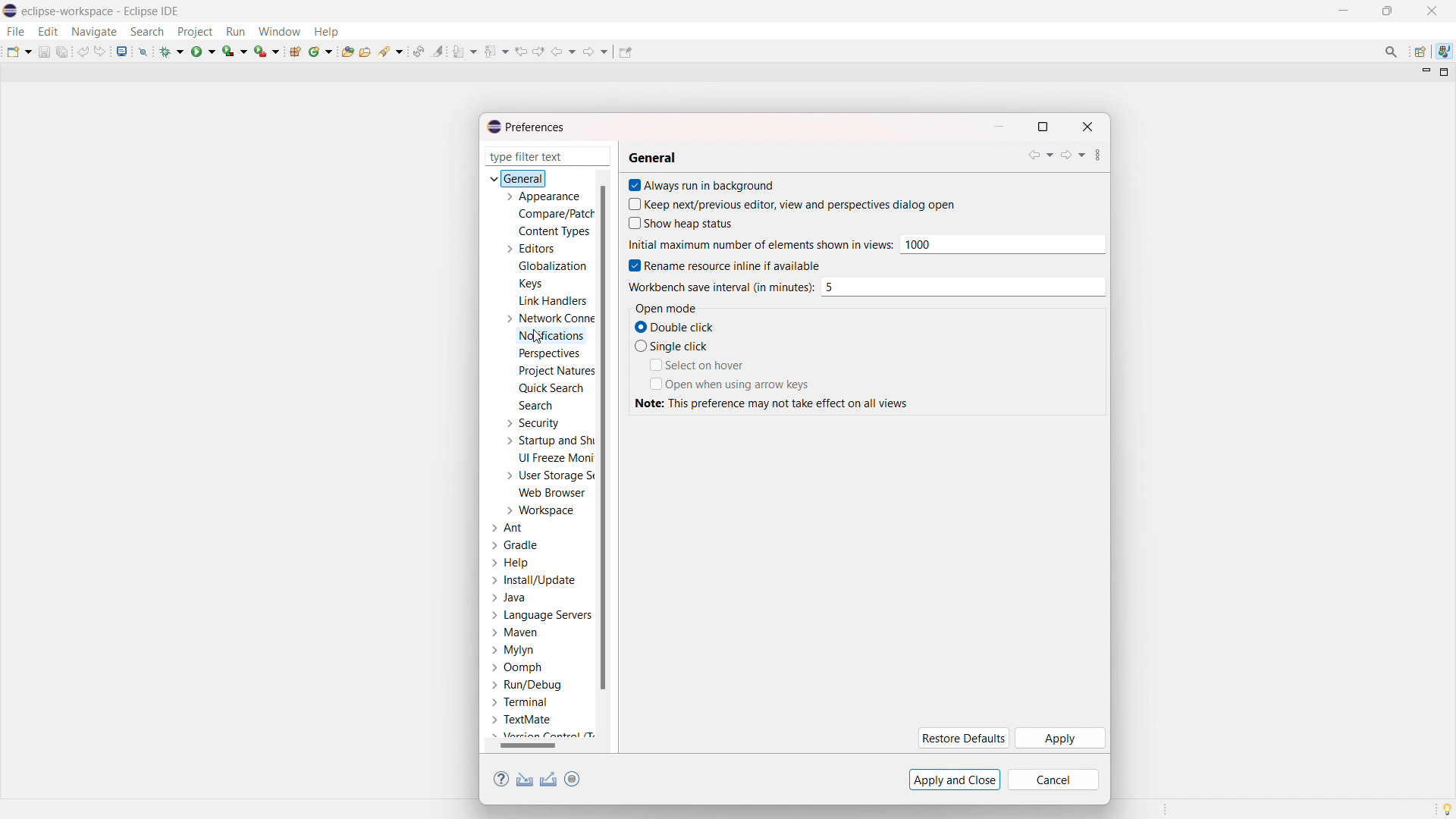 The image size is (1456, 819). Describe the element at coordinates (555, 370) in the screenshot. I see `project natures` at that location.